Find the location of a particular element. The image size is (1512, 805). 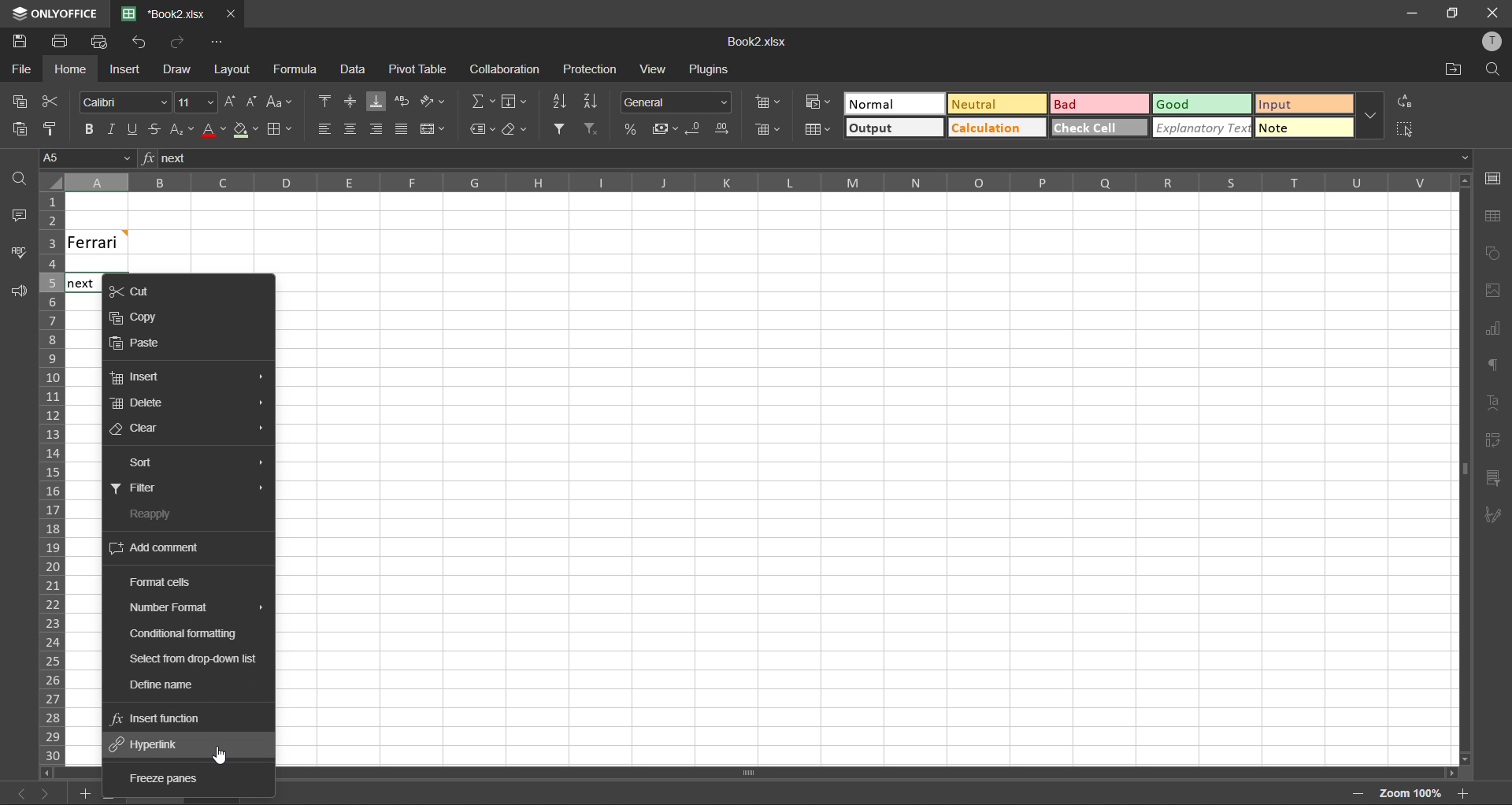

conditional formatting is located at coordinates (815, 102).